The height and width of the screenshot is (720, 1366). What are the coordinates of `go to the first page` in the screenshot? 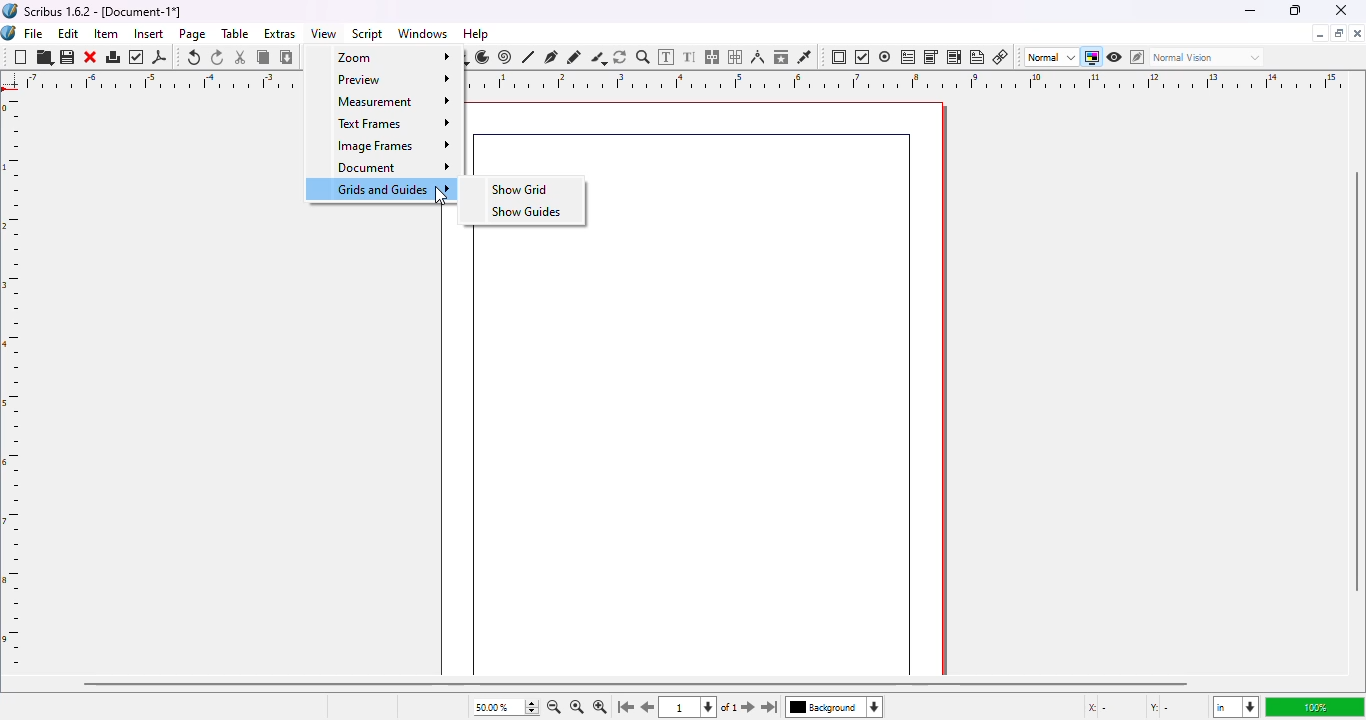 It's located at (626, 708).